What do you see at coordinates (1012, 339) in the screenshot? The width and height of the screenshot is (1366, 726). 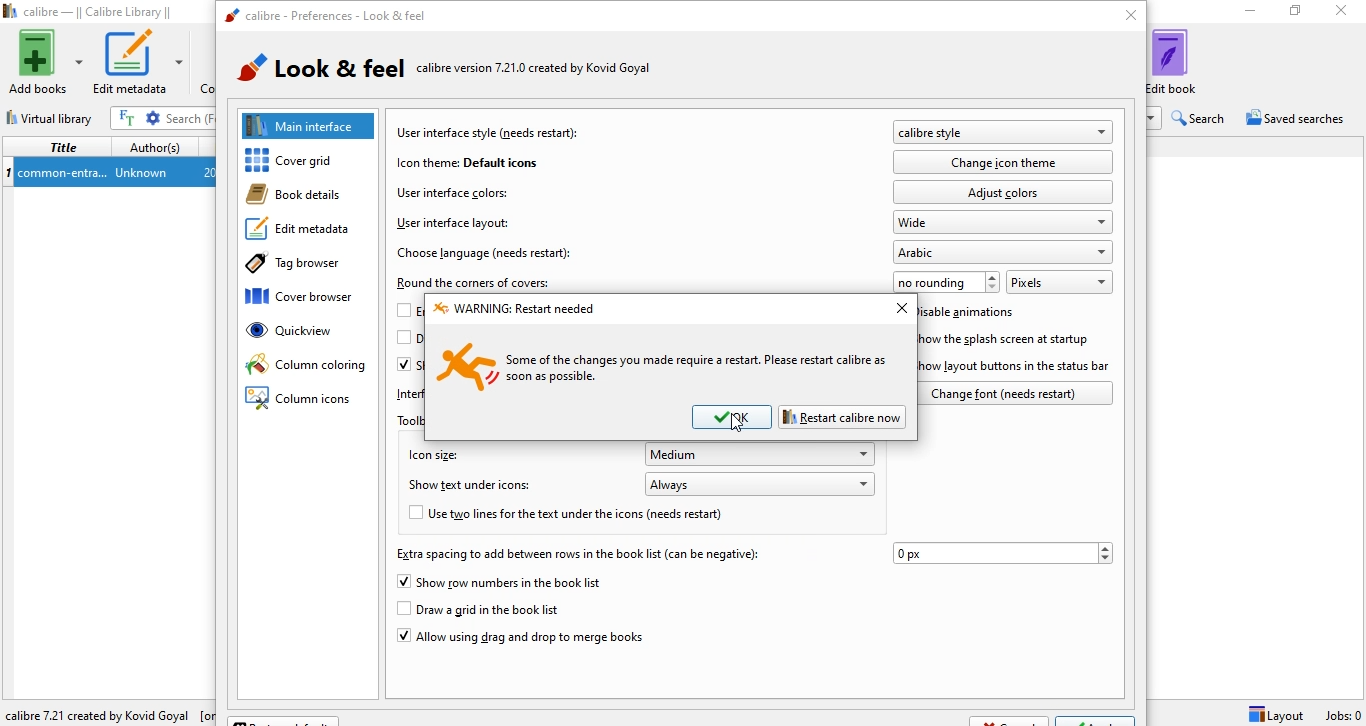 I see `show the splash screen at startup` at bounding box center [1012, 339].